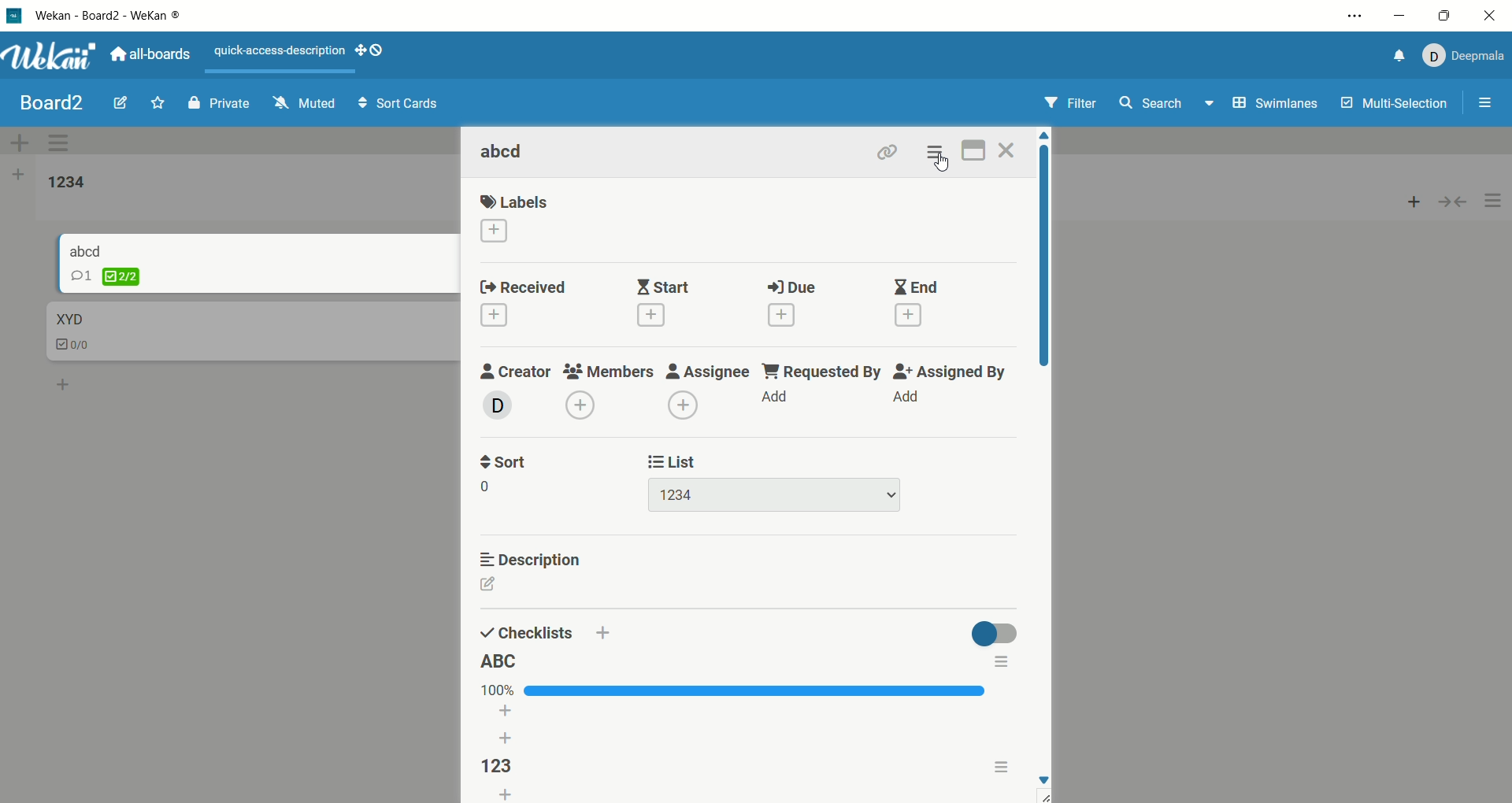  Describe the element at coordinates (157, 98) in the screenshot. I see `favorite` at that location.